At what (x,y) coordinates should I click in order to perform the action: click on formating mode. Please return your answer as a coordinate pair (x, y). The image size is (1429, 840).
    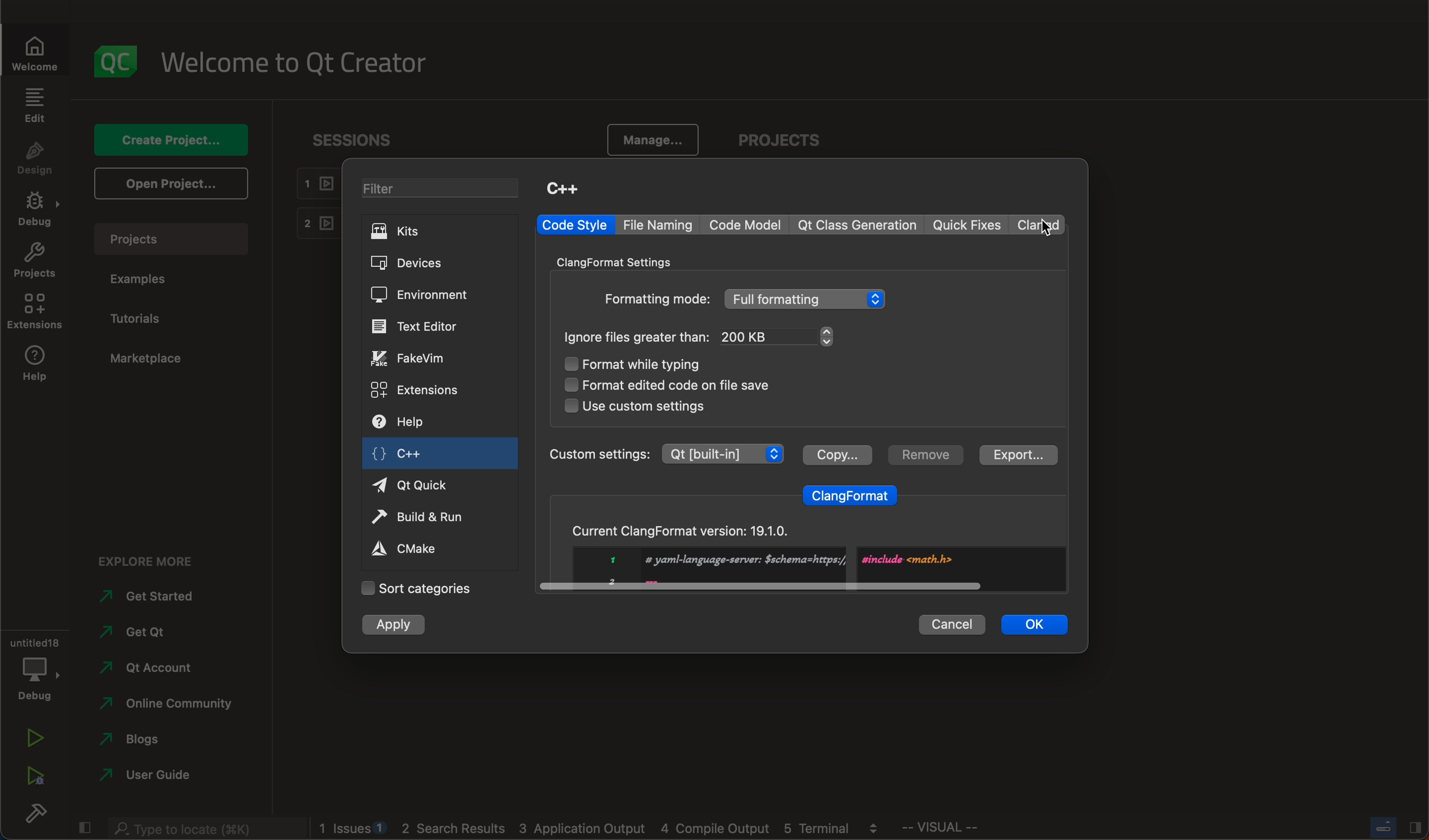
    Looking at the image, I should click on (753, 302).